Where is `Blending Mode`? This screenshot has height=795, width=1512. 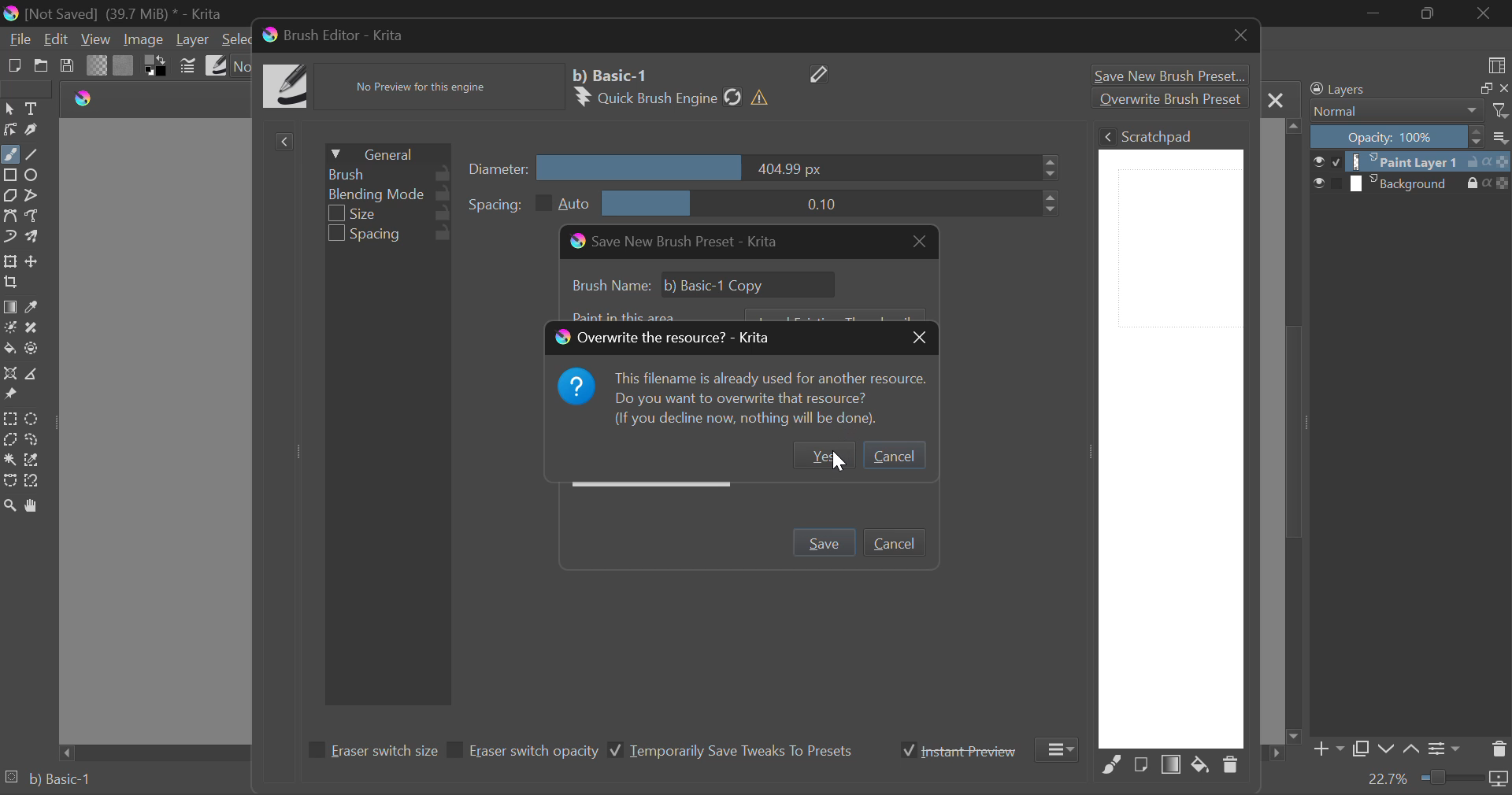
Blending Mode is located at coordinates (1408, 112).